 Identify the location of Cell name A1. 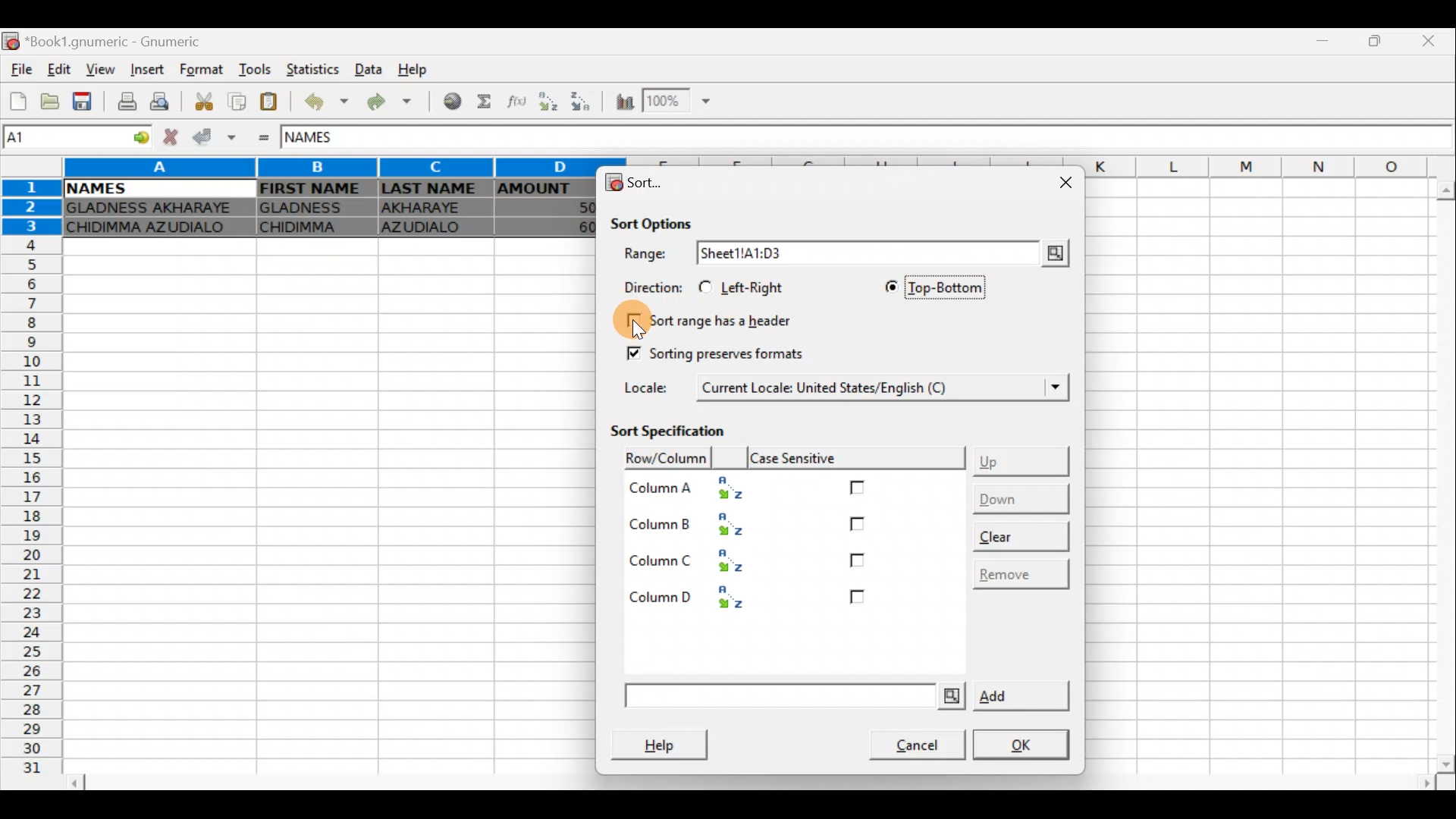
(60, 139).